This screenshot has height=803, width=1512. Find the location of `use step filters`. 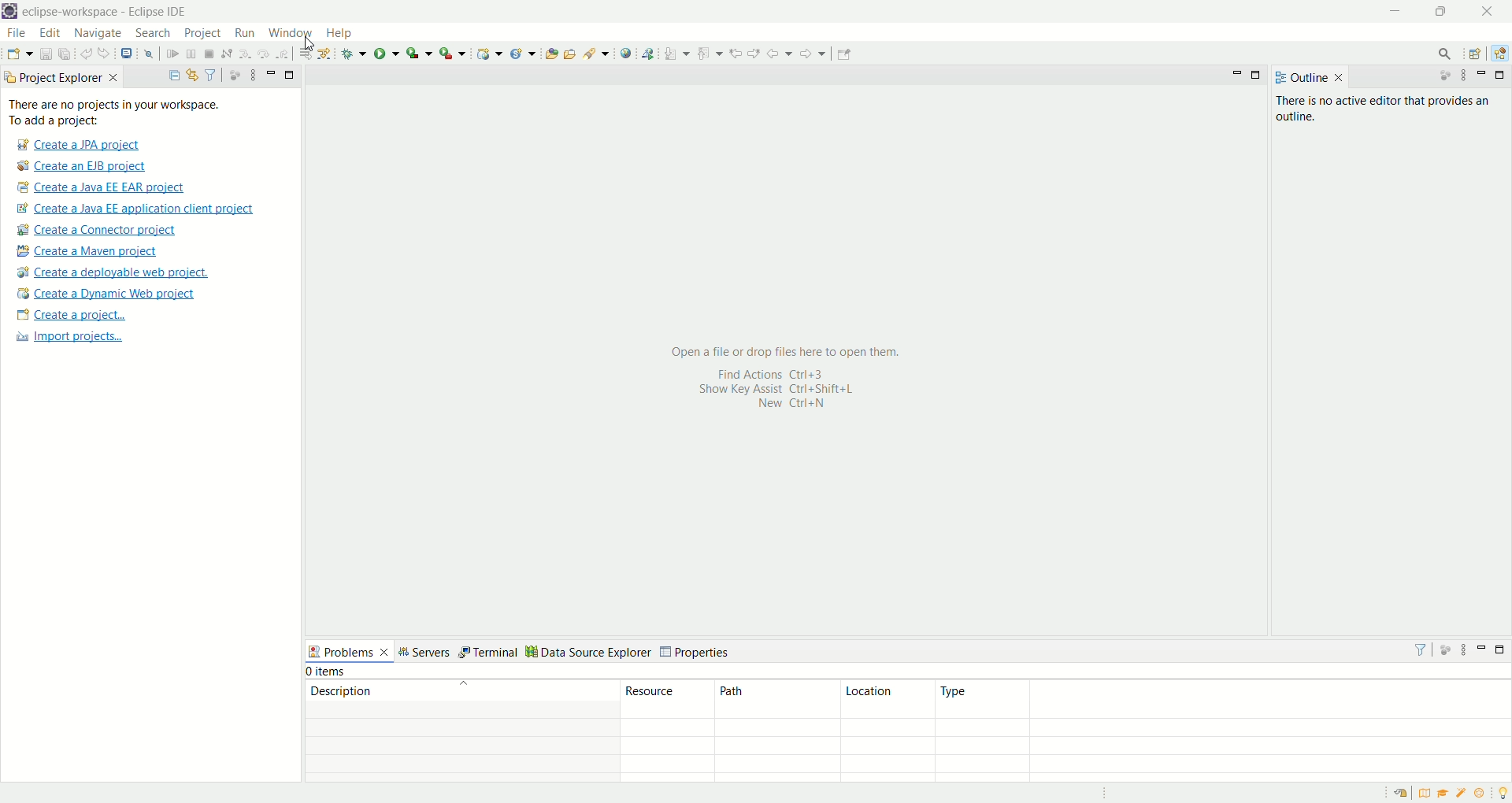

use step filters is located at coordinates (323, 54).